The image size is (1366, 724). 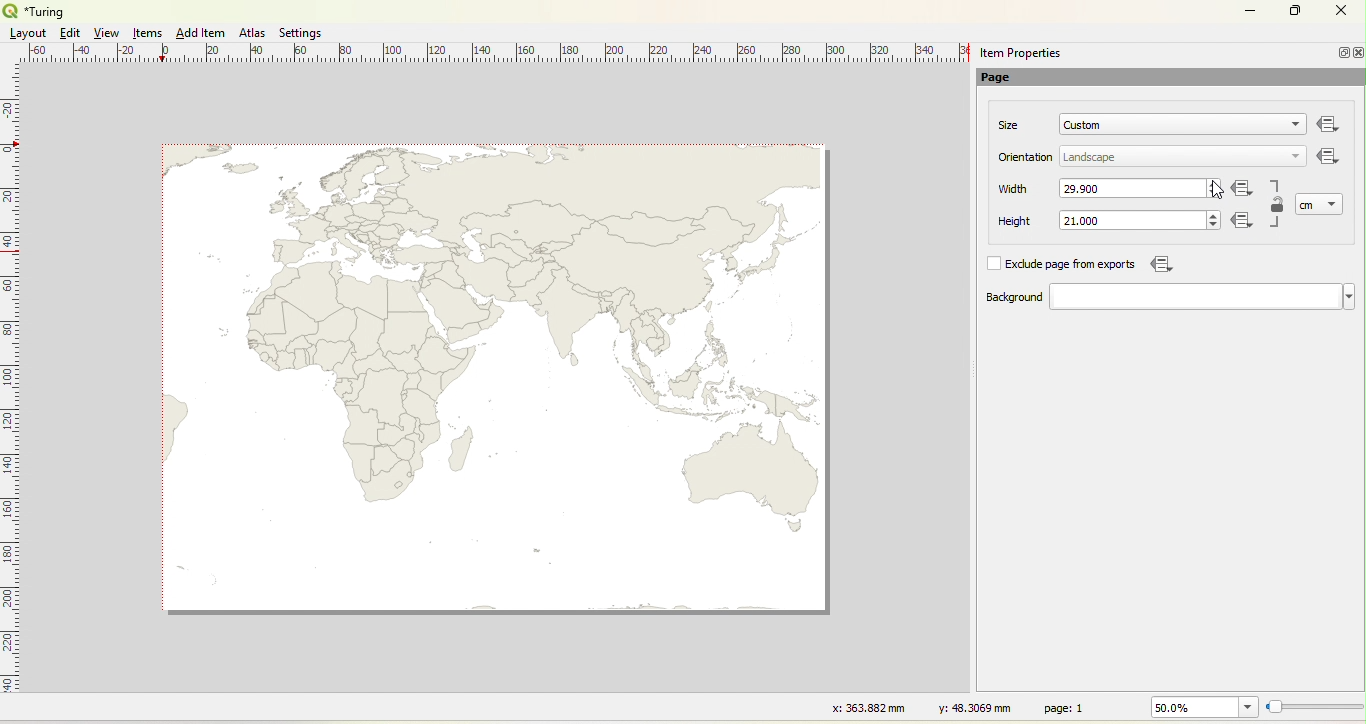 What do you see at coordinates (1211, 226) in the screenshot?
I see `decrease` at bounding box center [1211, 226].